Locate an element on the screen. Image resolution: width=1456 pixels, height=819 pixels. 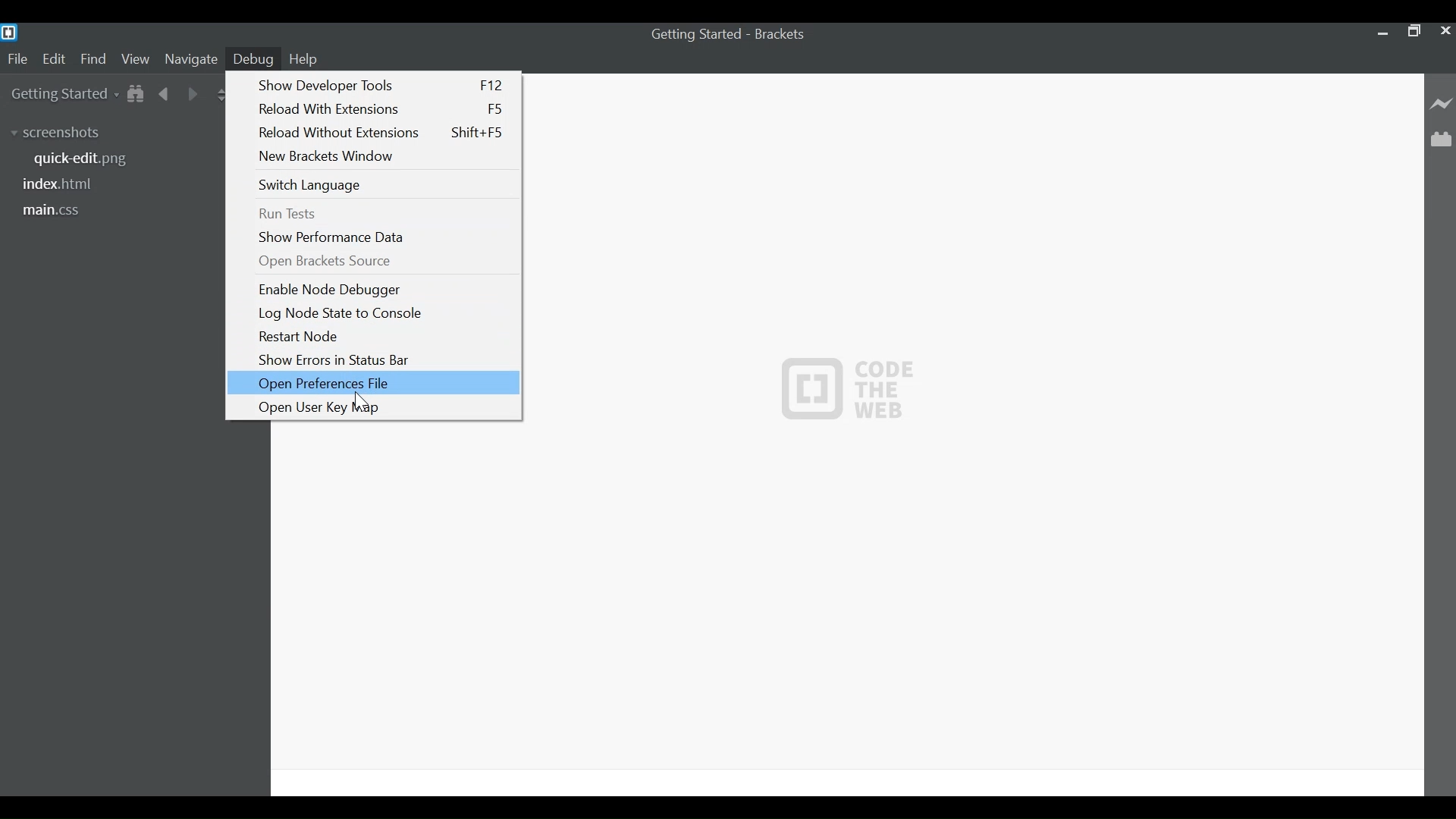
Help is located at coordinates (311, 58).